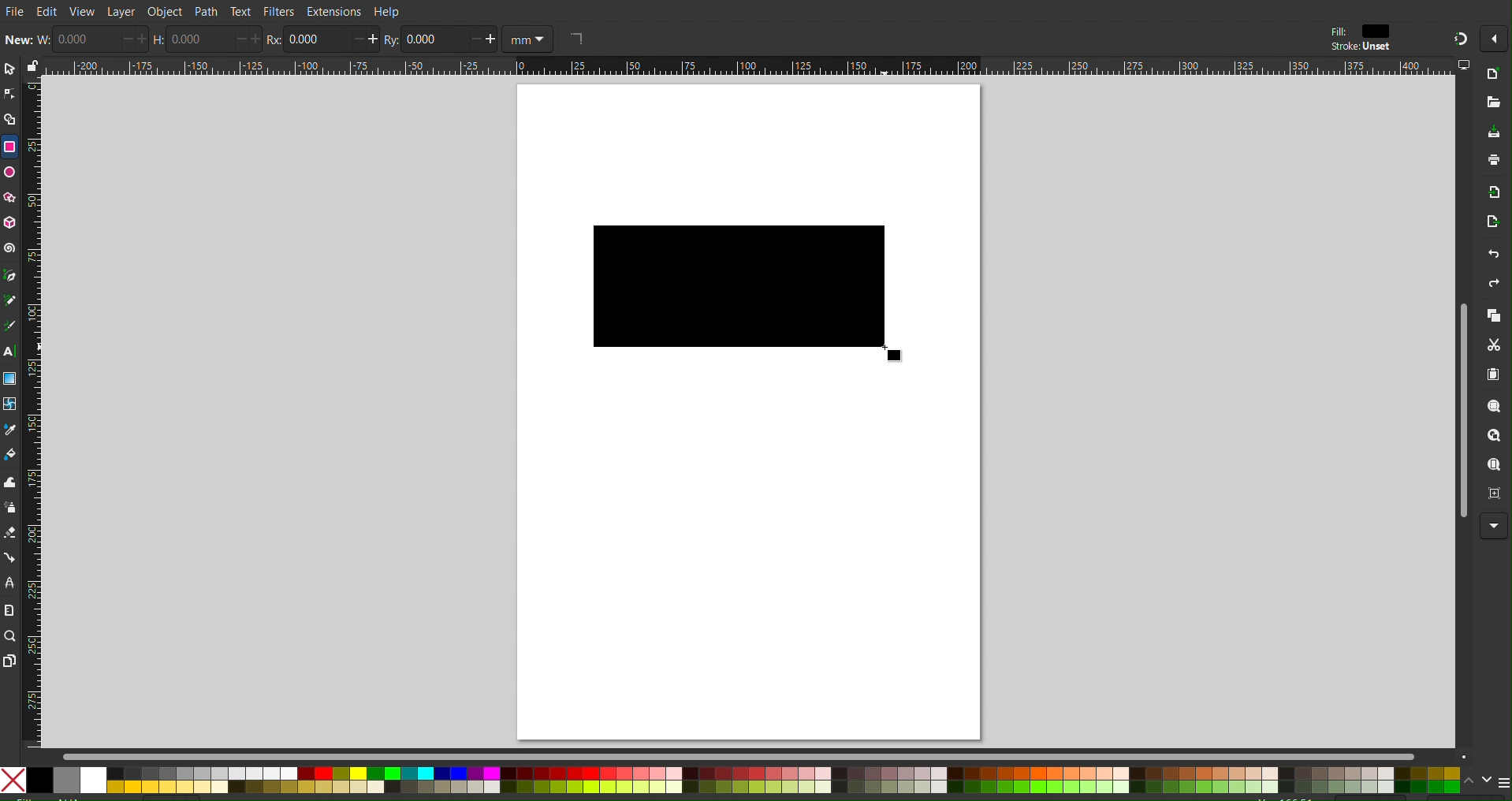 This screenshot has width=1512, height=801. I want to click on Snapping, so click(1458, 36).